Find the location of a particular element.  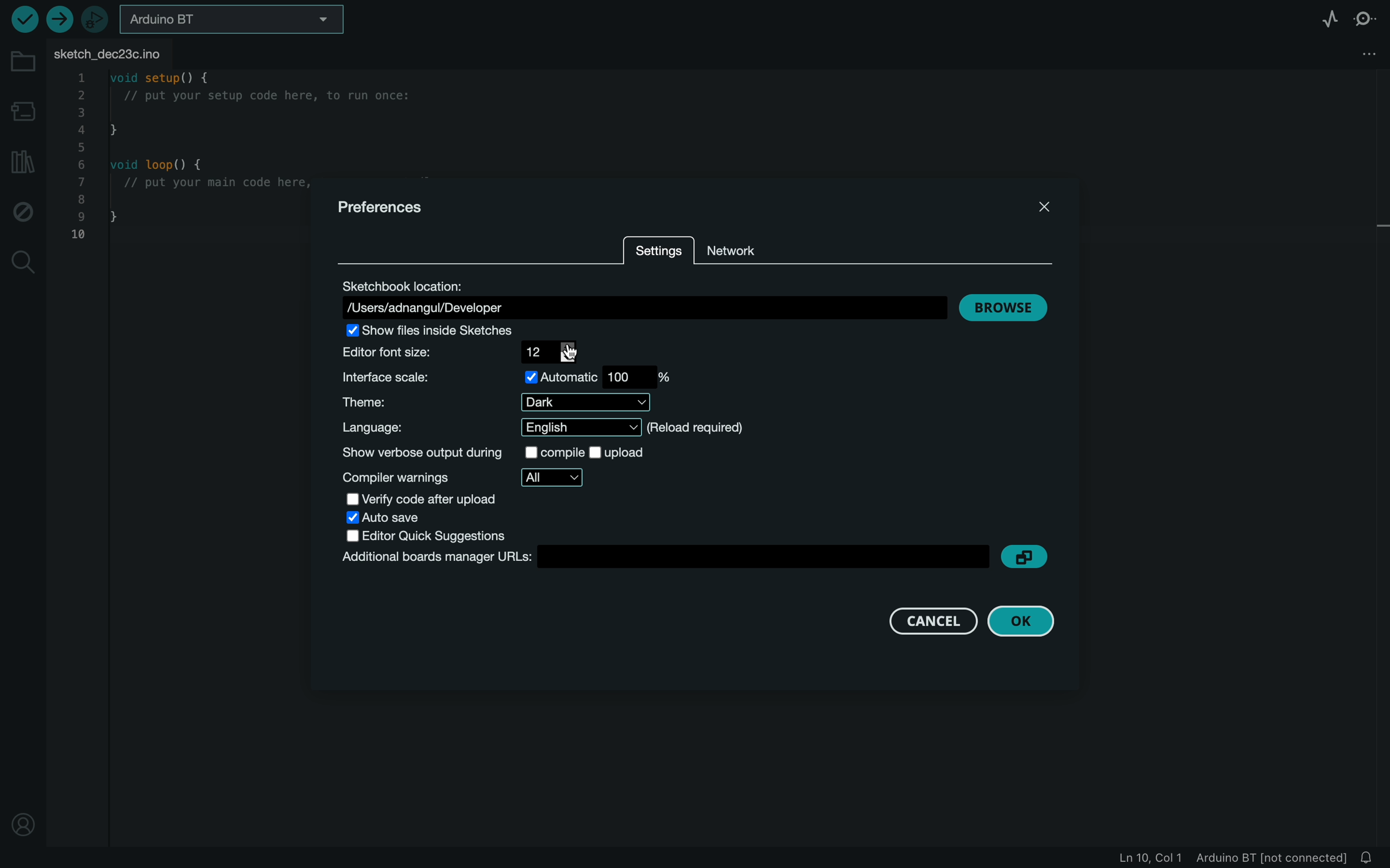

verify is located at coordinates (25, 20).